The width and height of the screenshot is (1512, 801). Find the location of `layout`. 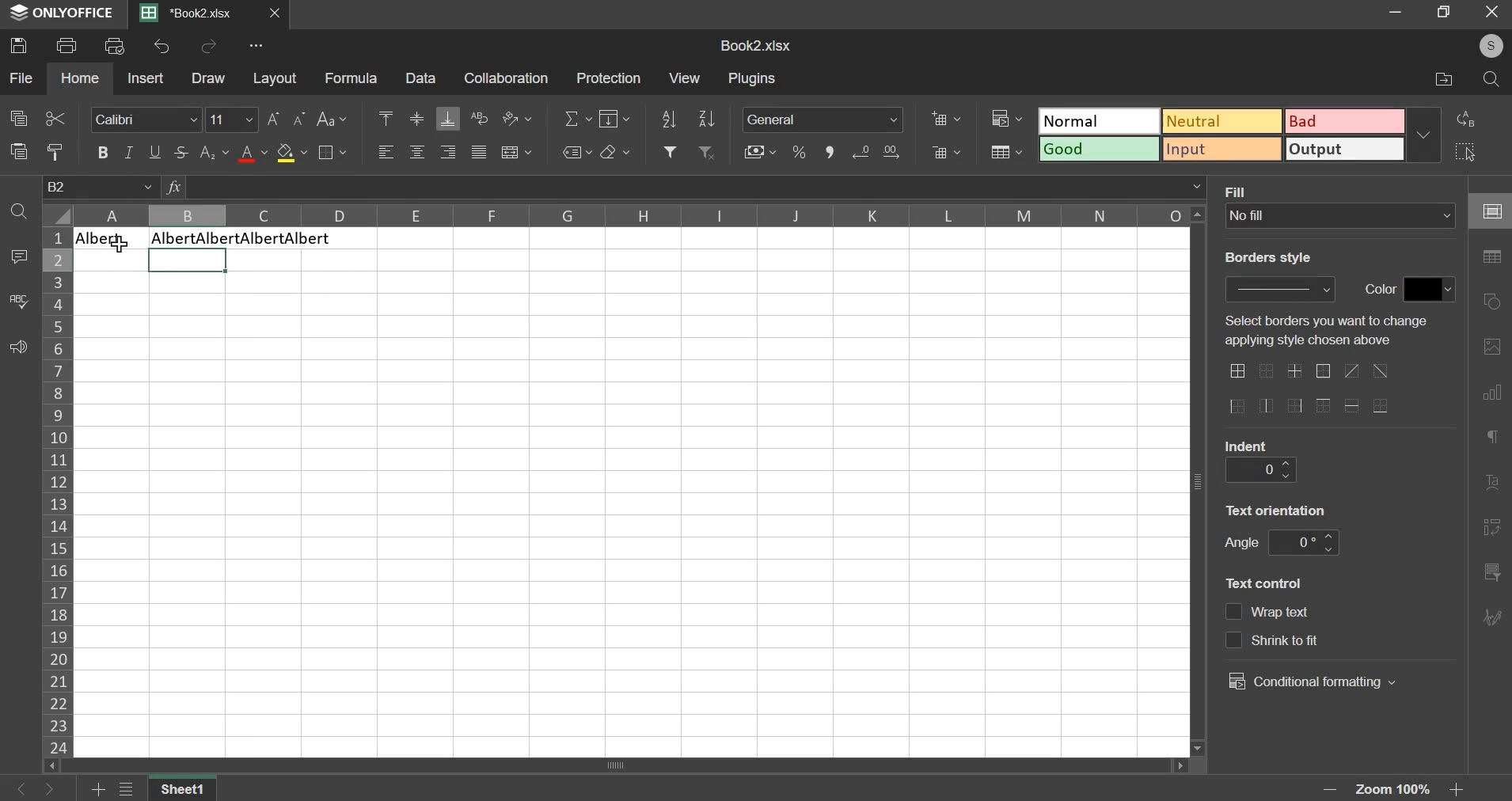

layout is located at coordinates (275, 79).